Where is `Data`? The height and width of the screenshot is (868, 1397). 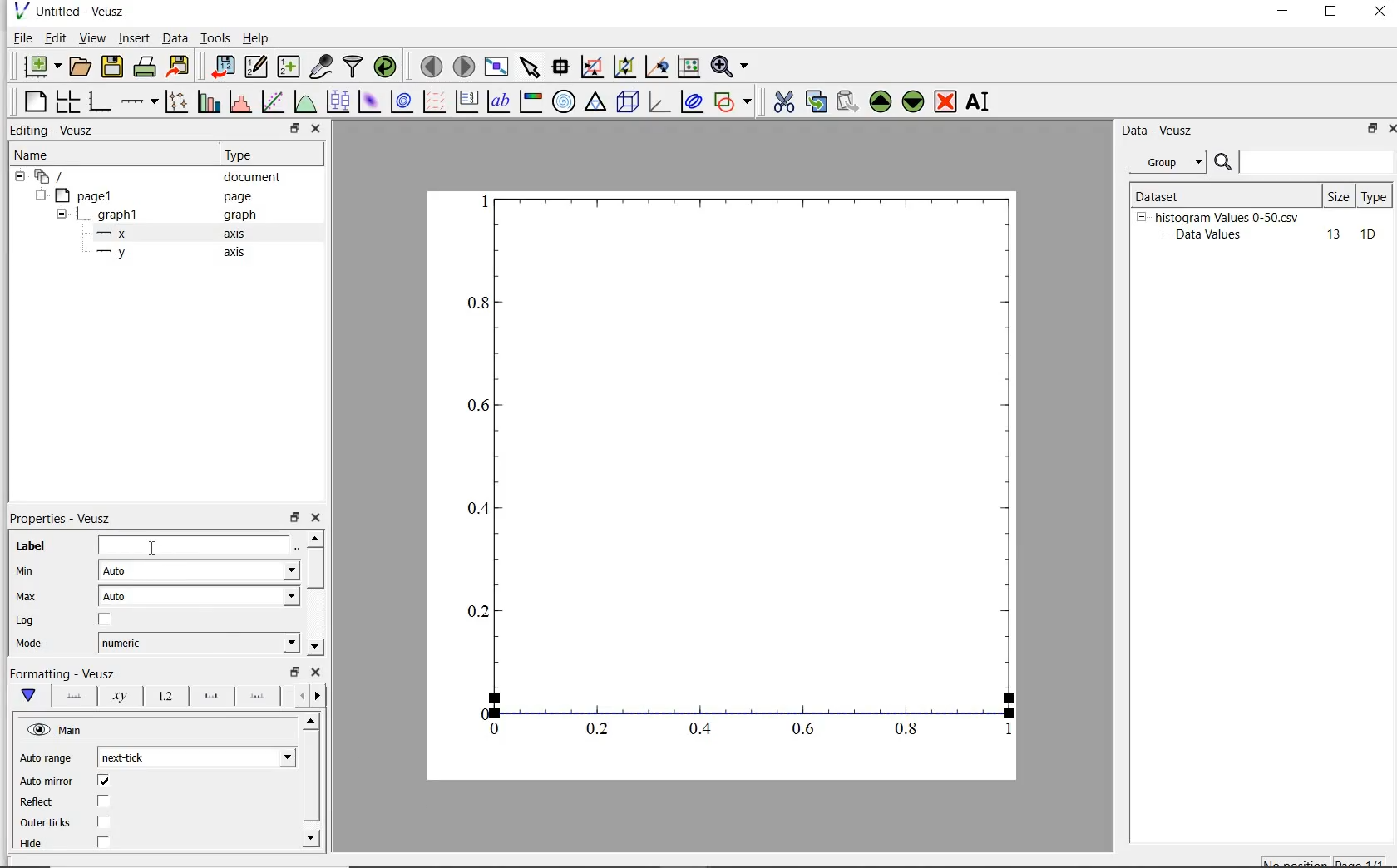 Data is located at coordinates (175, 37).